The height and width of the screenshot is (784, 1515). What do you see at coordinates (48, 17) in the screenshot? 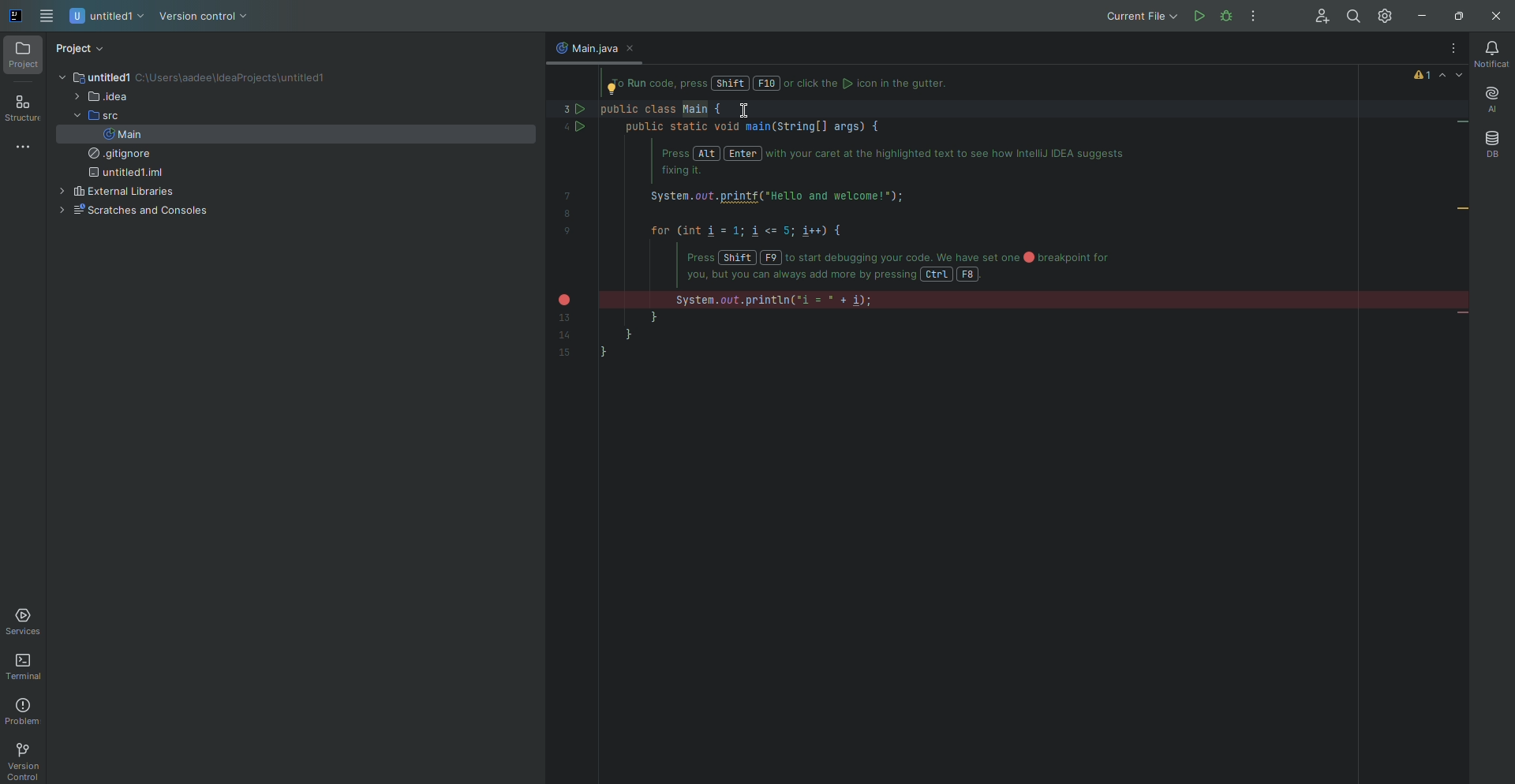
I see `Main Menu` at bounding box center [48, 17].